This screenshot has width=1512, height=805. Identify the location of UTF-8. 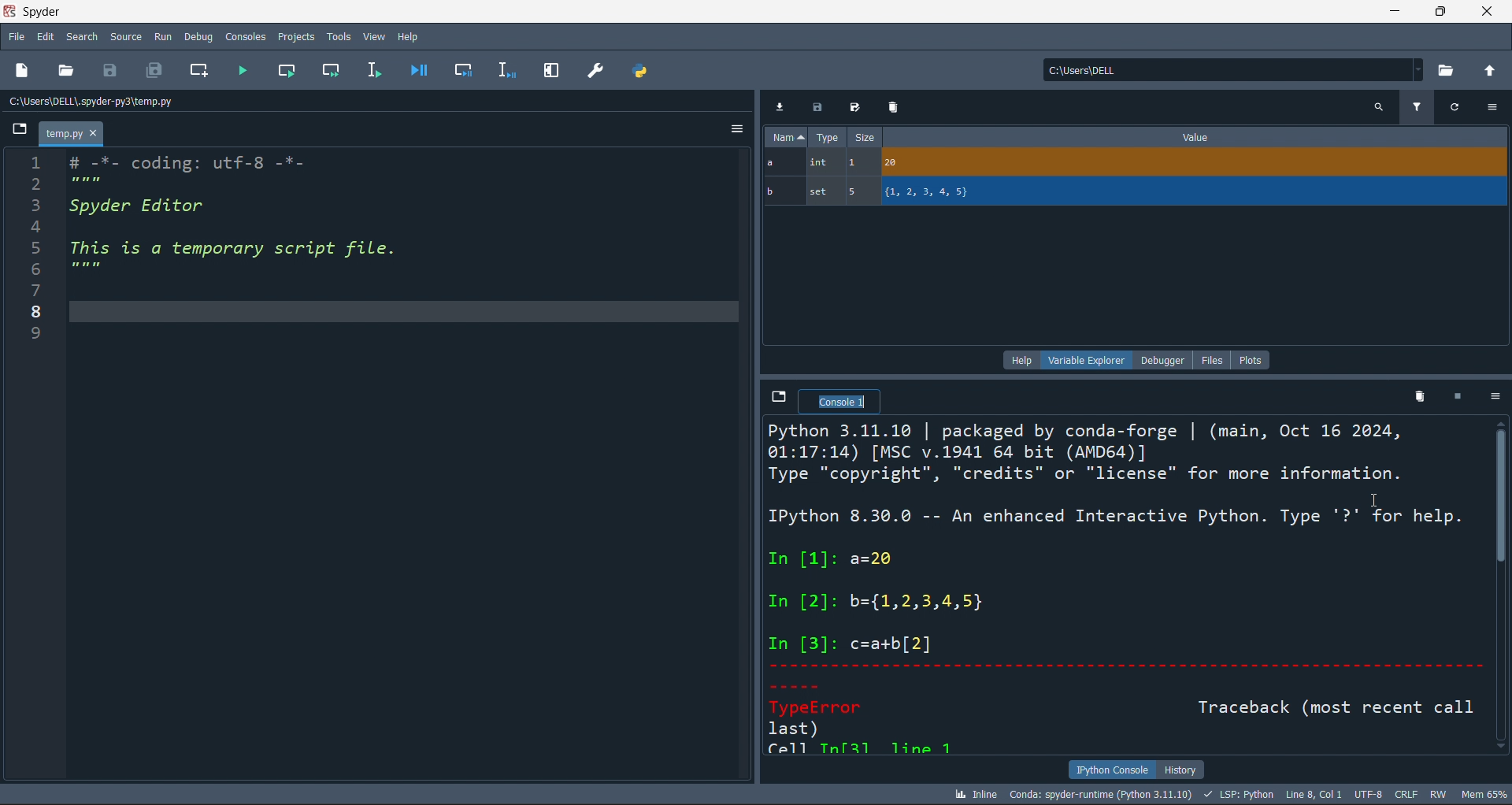
(1370, 796).